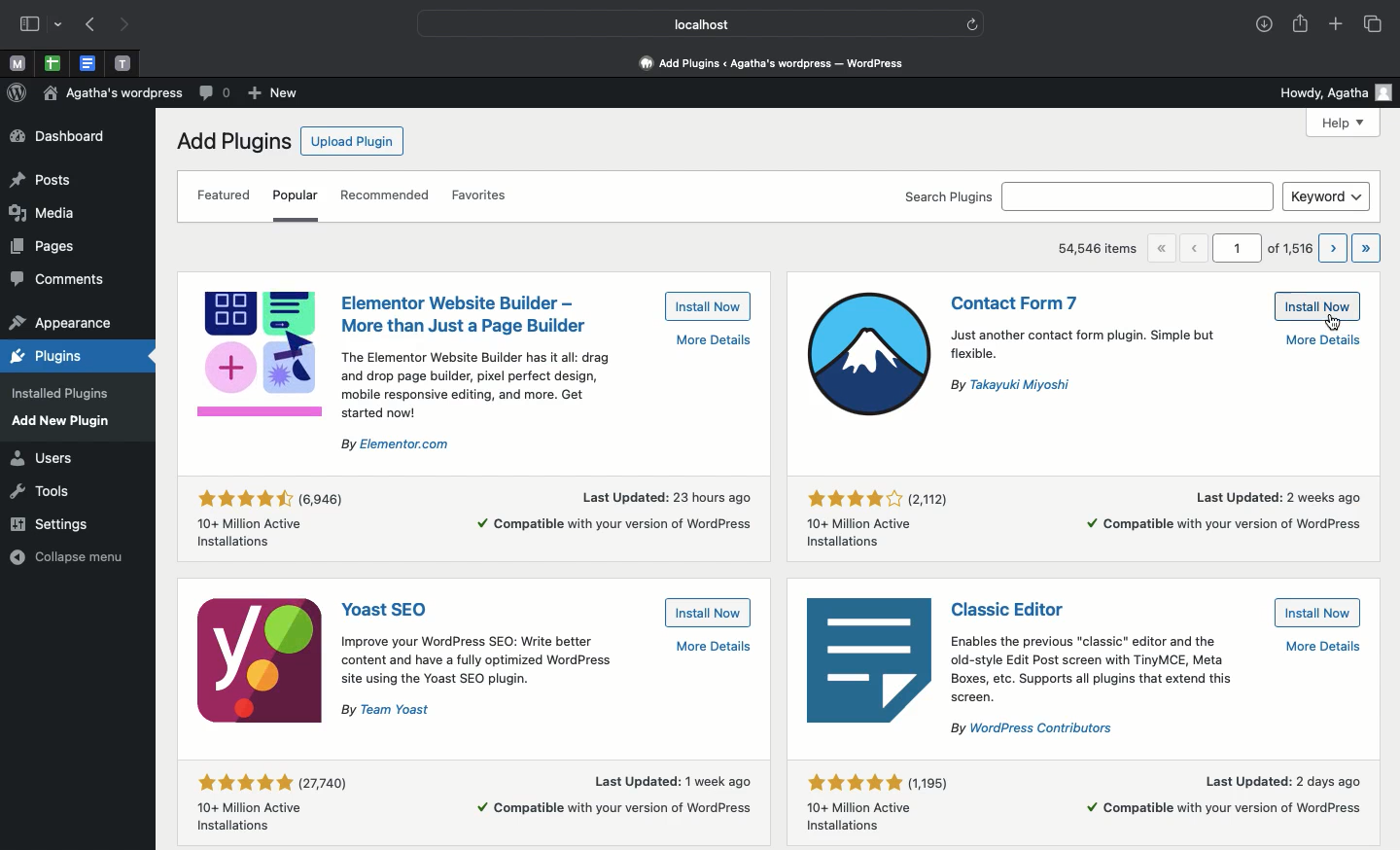 This screenshot has width=1400, height=850. Describe the element at coordinates (1018, 303) in the screenshot. I see `Contact form 7` at that location.